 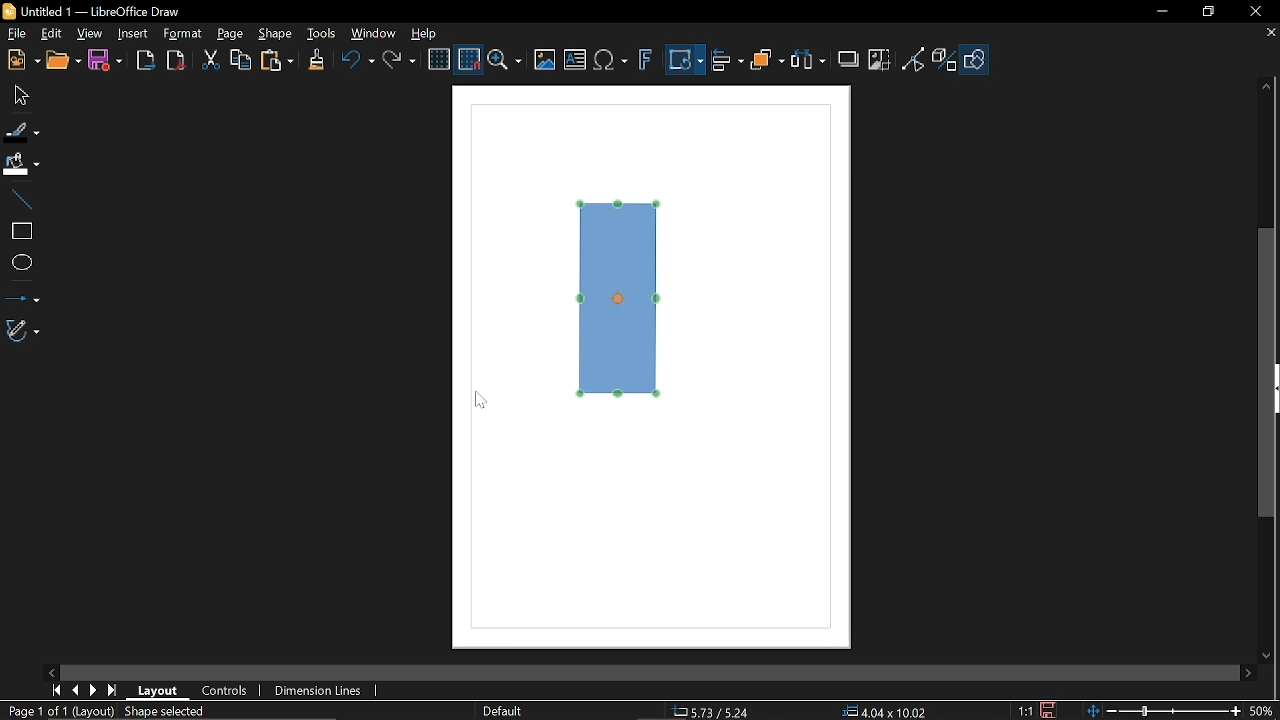 What do you see at coordinates (322, 34) in the screenshot?
I see `Tools` at bounding box center [322, 34].